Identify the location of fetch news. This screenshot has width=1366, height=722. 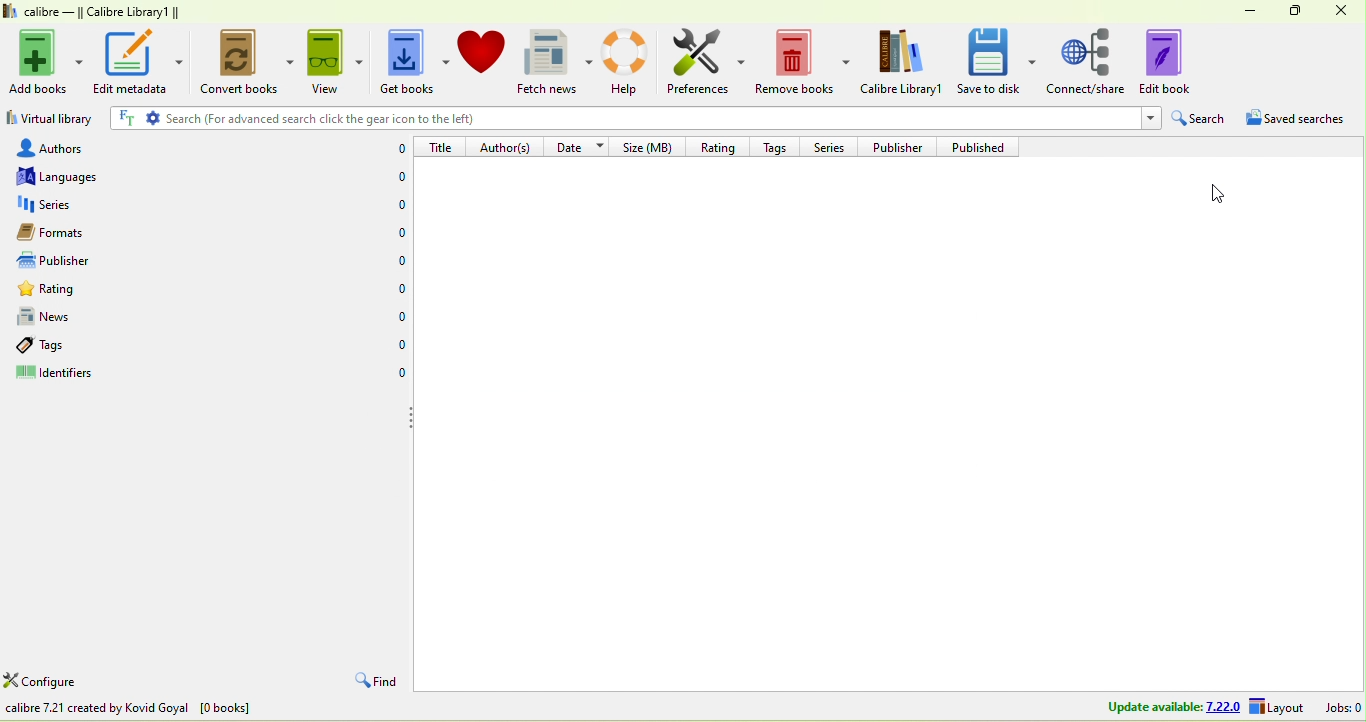
(557, 62).